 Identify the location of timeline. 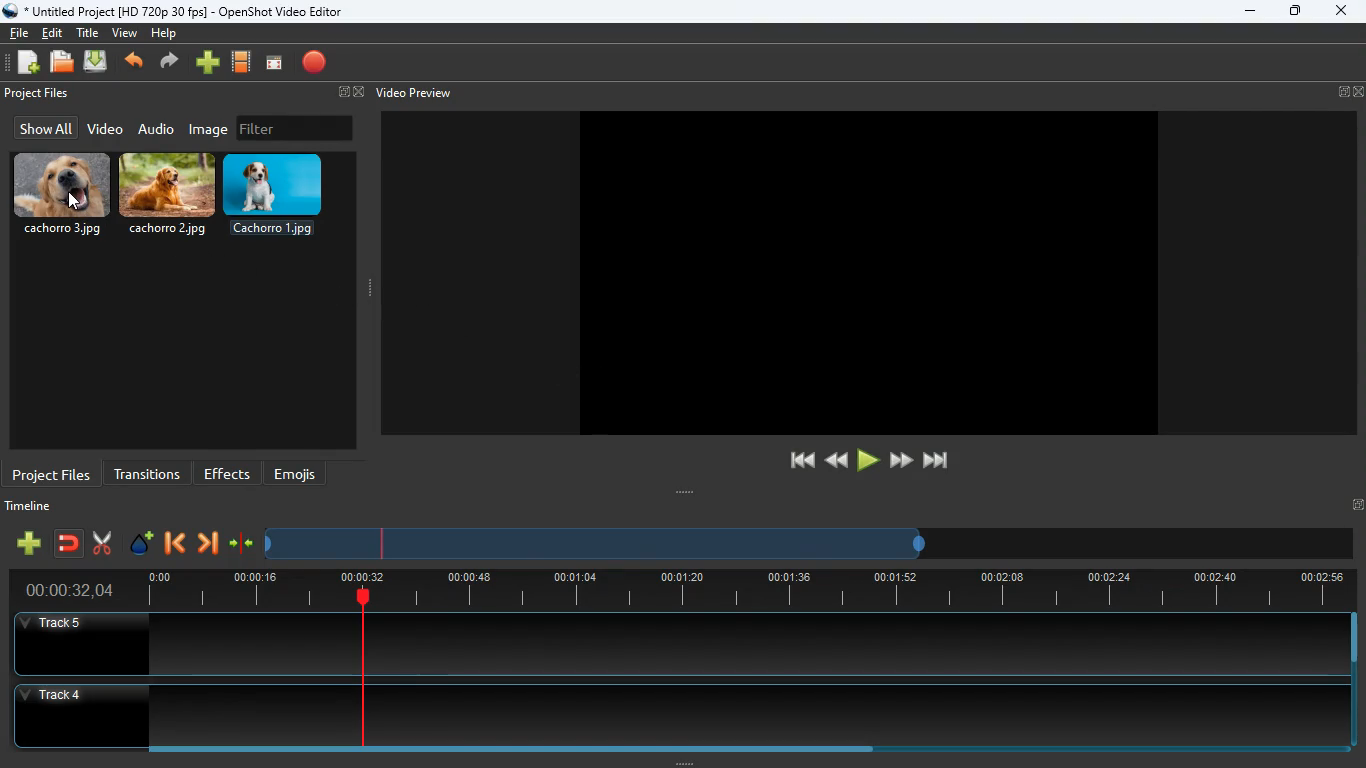
(598, 543).